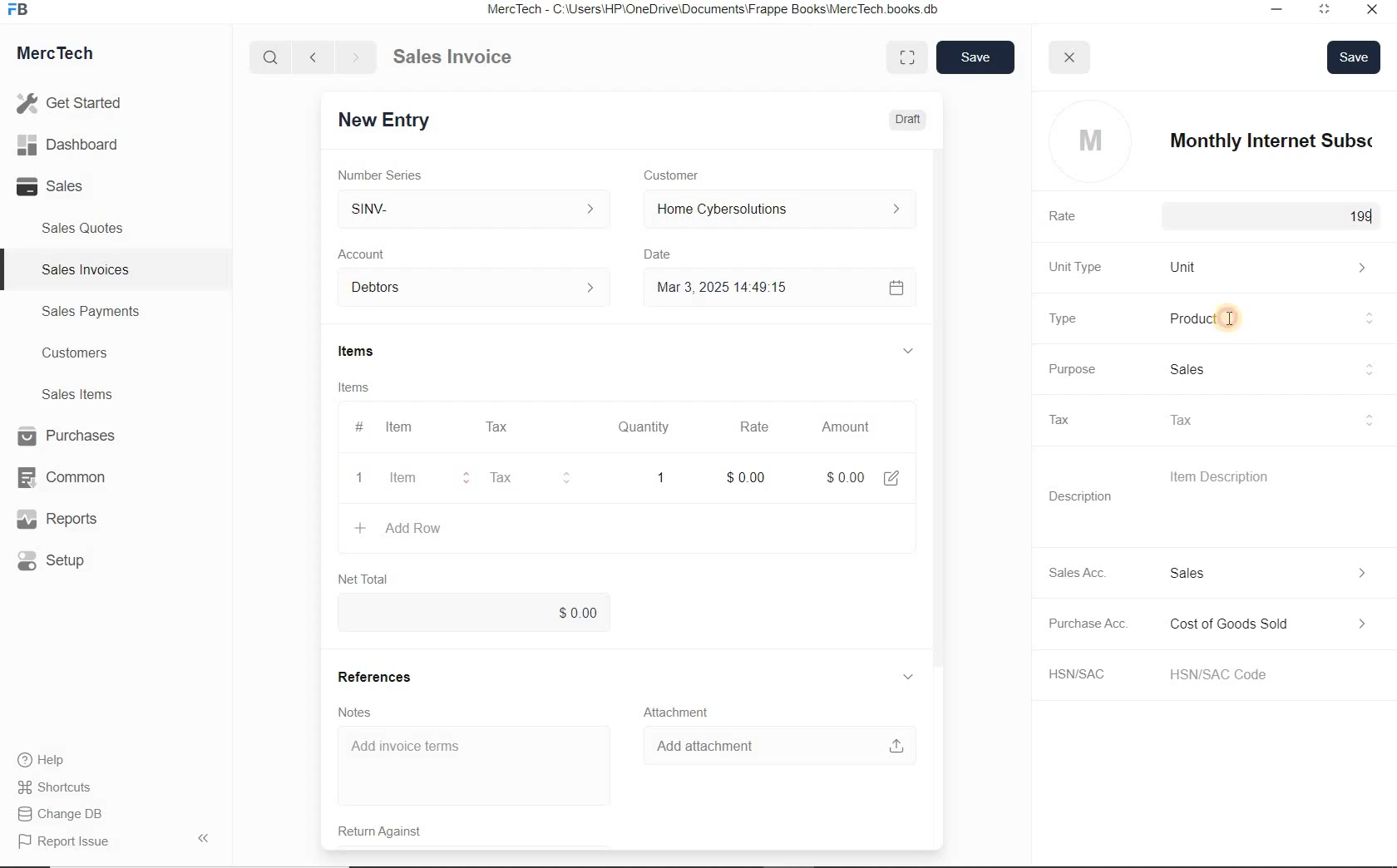 Image resolution: width=1397 pixels, height=868 pixels. I want to click on Home Cyber Solutions, so click(774, 210).